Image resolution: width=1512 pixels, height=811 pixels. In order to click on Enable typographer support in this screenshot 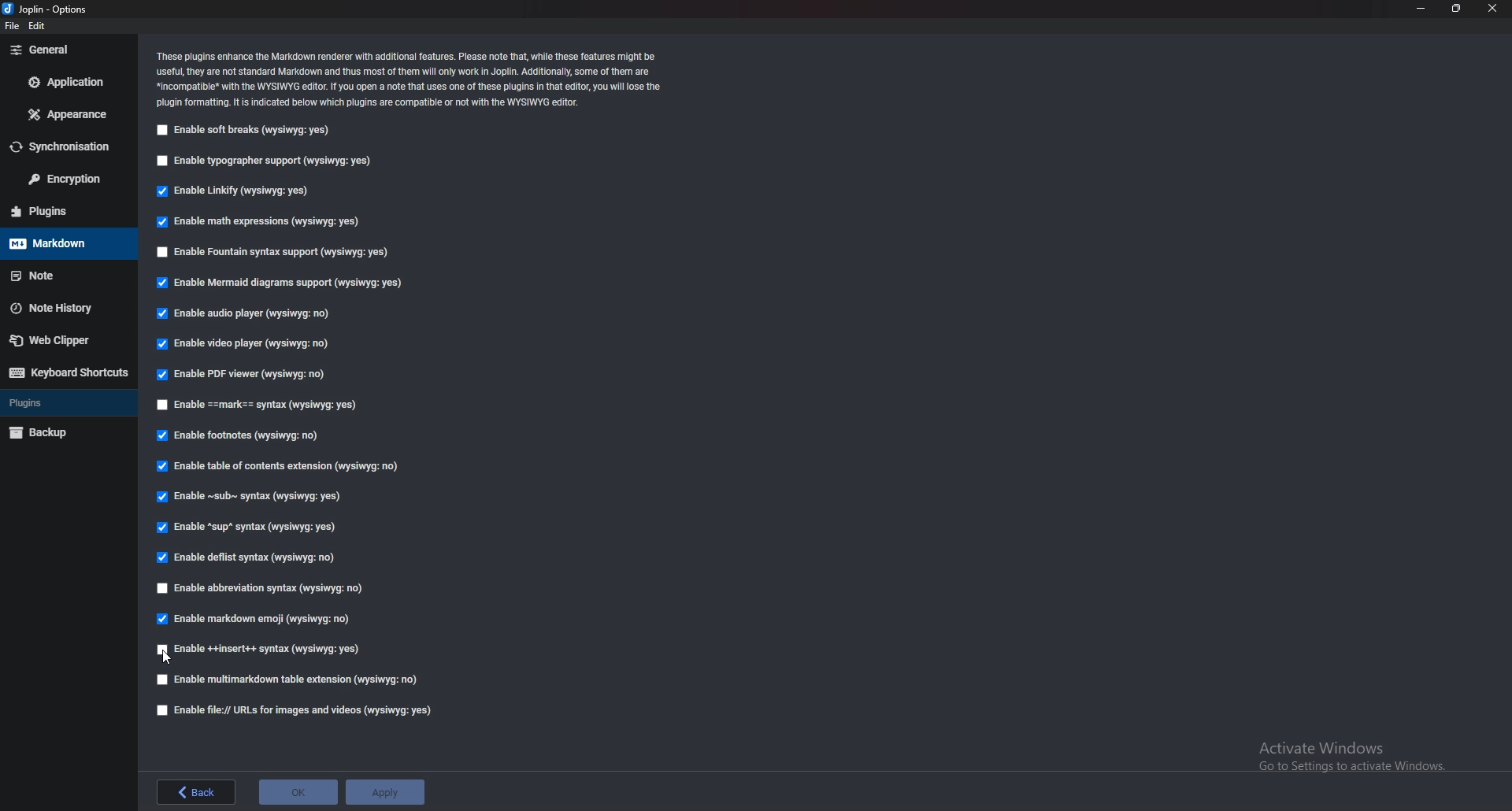, I will do `click(265, 161)`.